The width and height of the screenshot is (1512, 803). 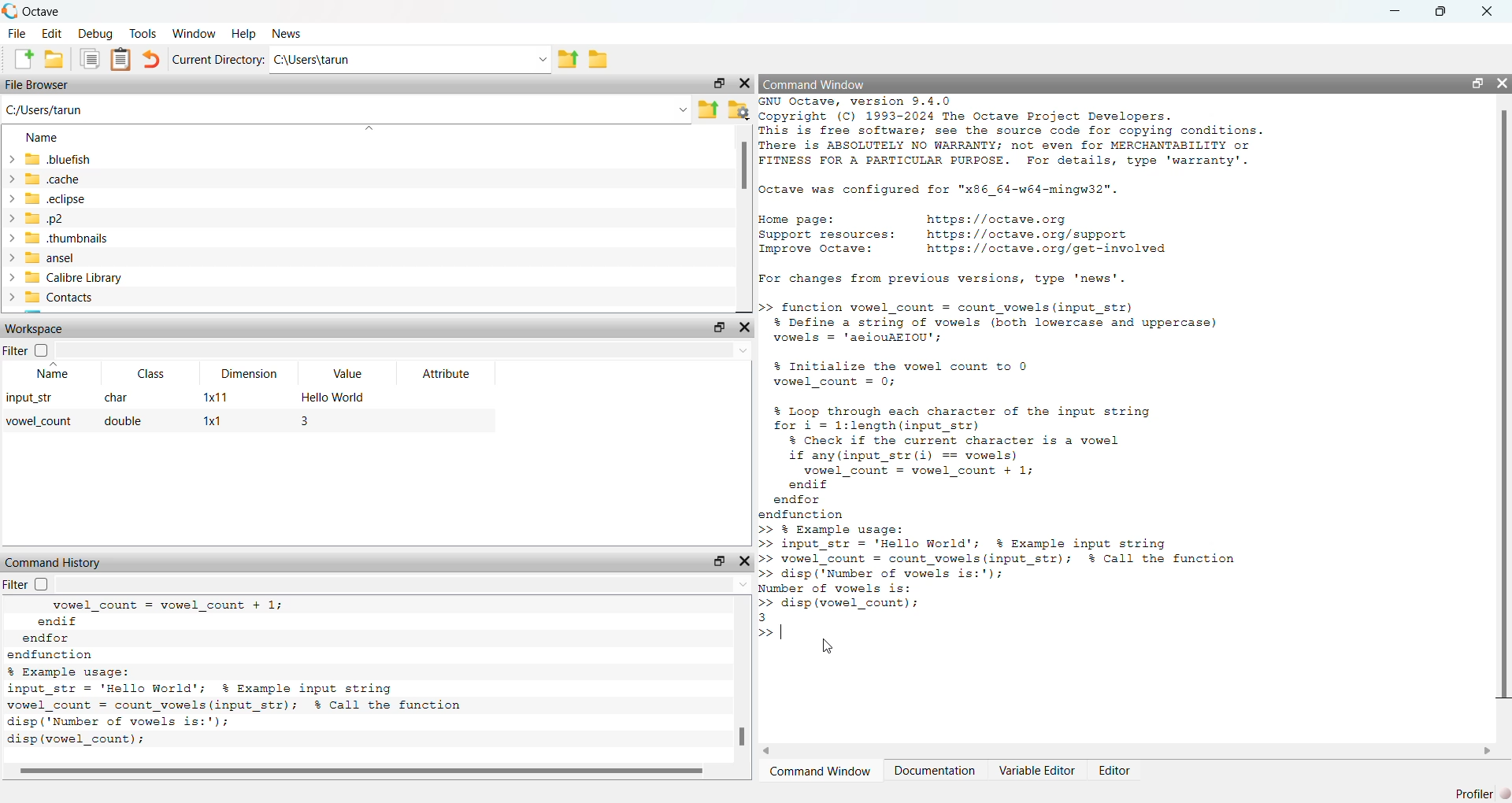 What do you see at coordinates (154, 374) in the screenshot?
I see `Class` at bounding box center [154, 374].